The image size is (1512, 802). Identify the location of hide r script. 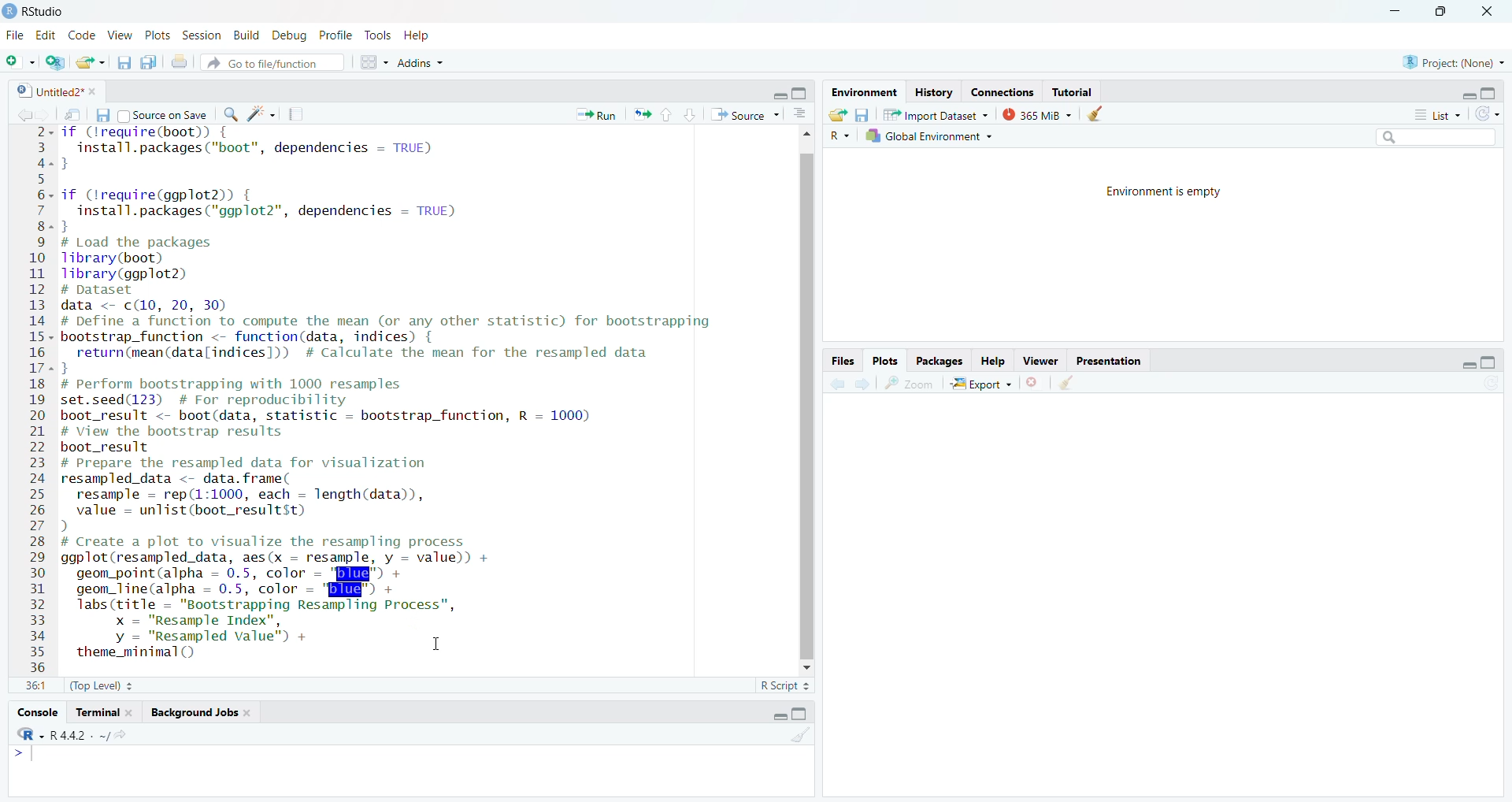
(1462, 95).